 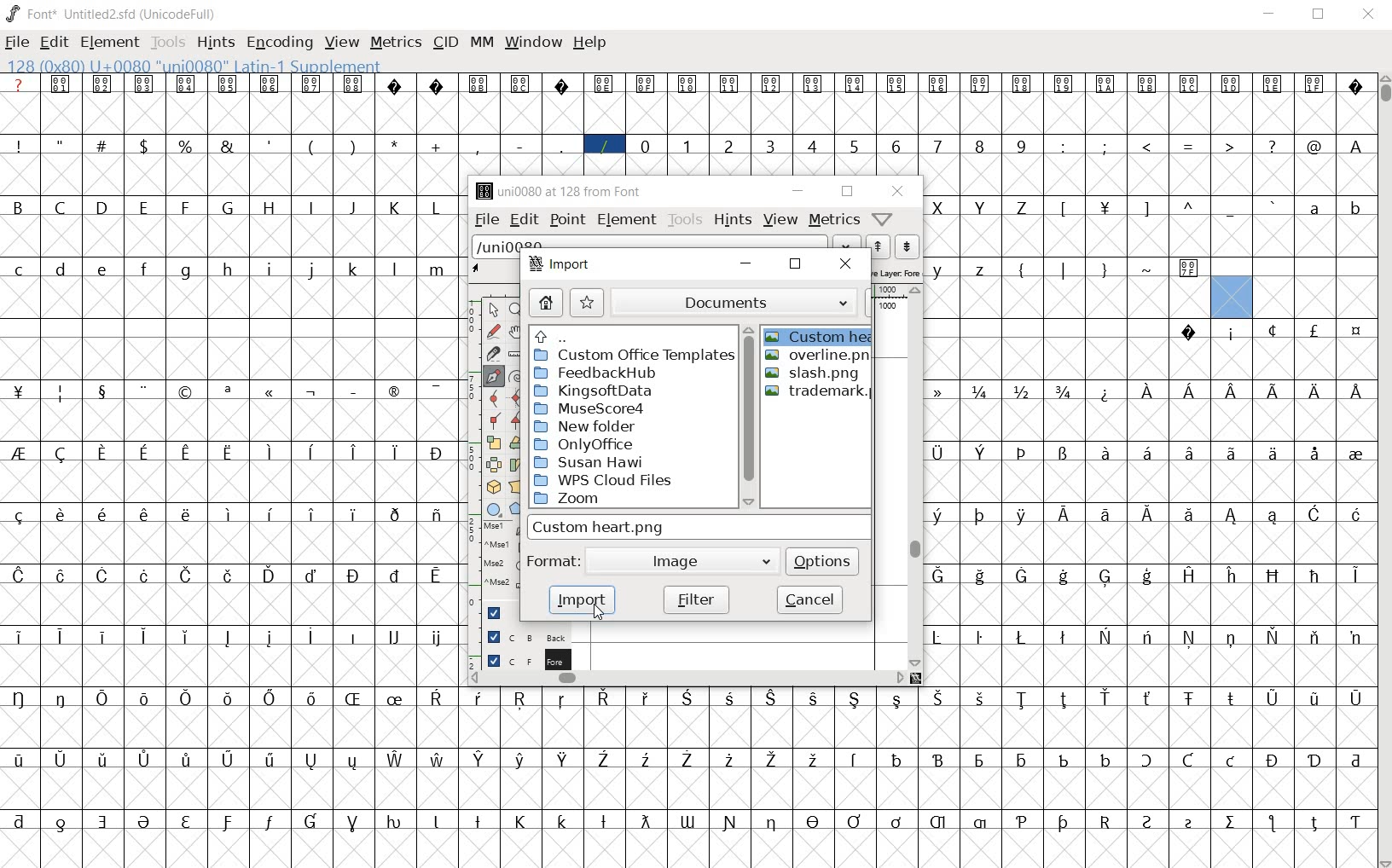 What do you see at coordinates (1356, 514) in the screenshot?
I see `glyph` at bounding box center [1356, 514].